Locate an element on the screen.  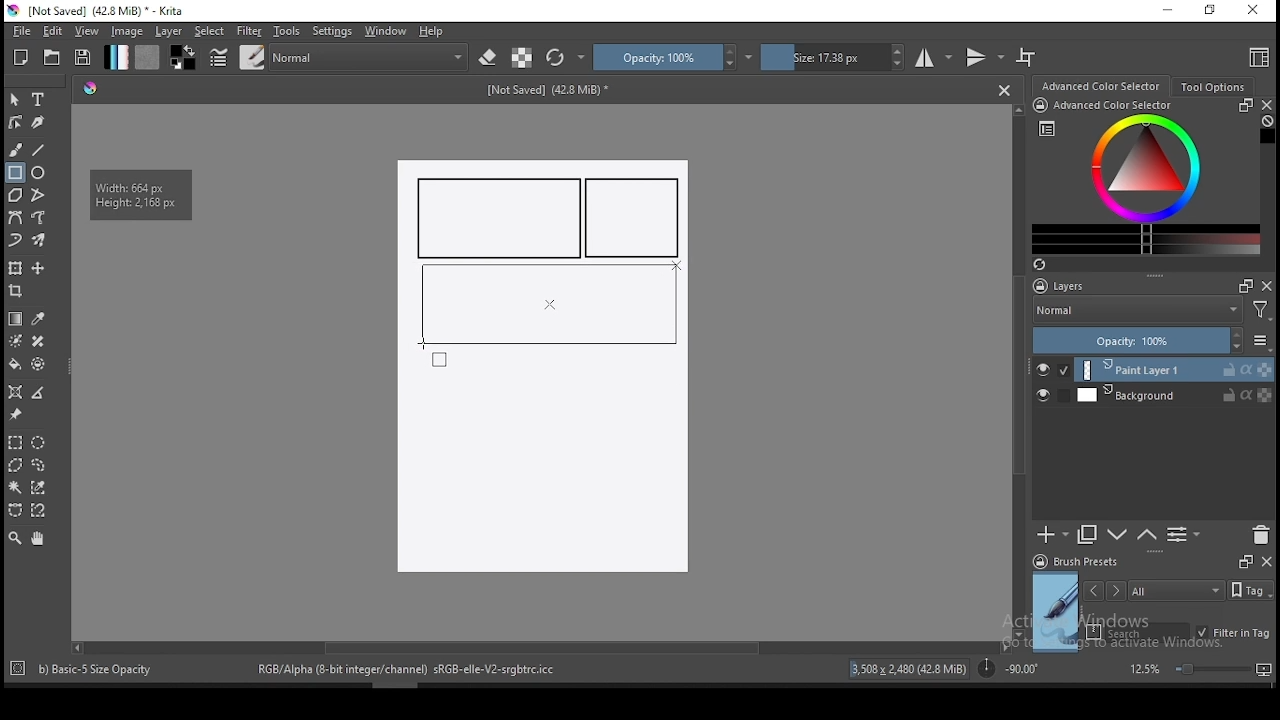
freehand selection tool is located at coordinates (39, 465).